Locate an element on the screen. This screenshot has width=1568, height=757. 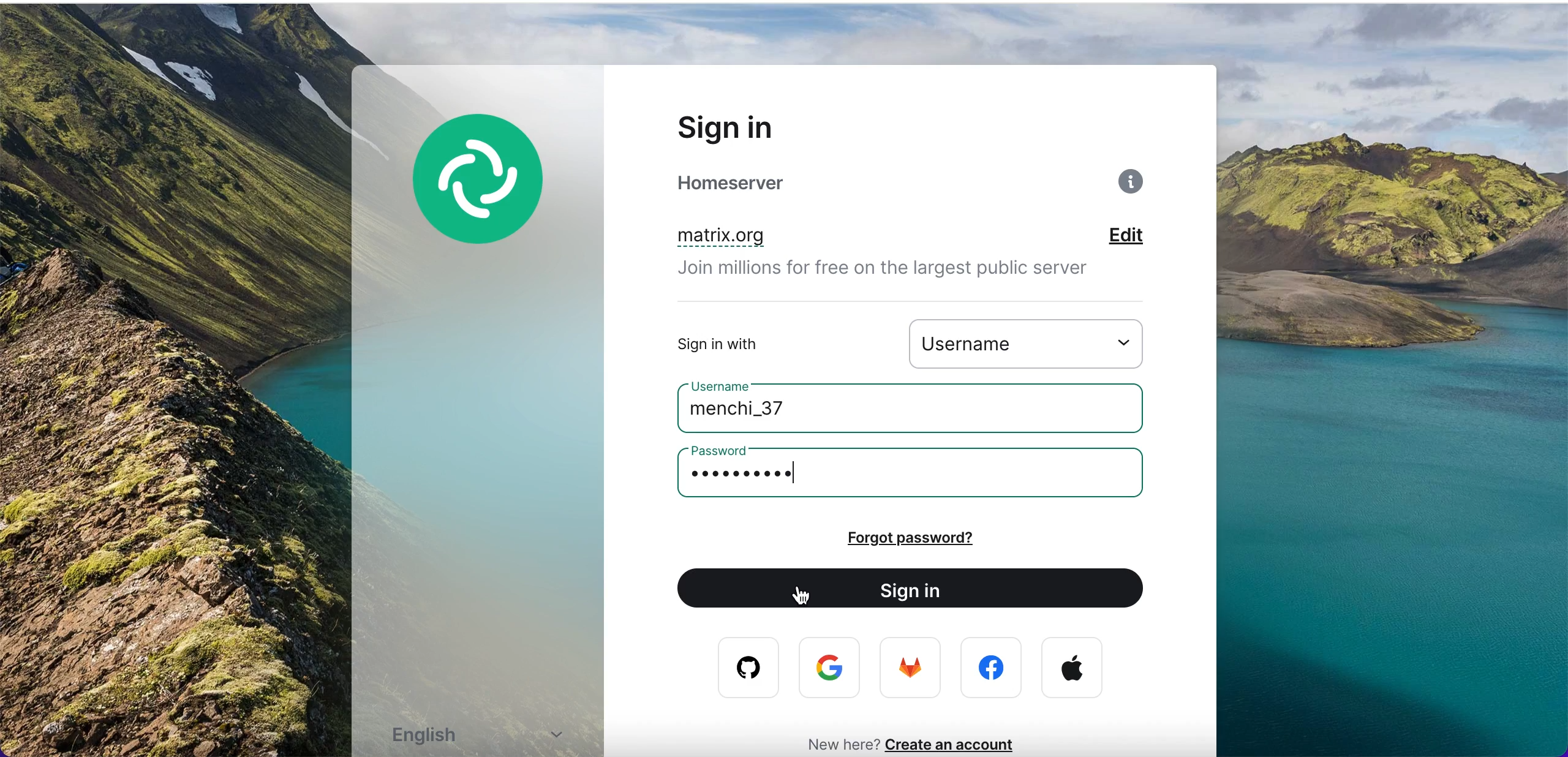
homeserver is located at coordinates (761, 183).